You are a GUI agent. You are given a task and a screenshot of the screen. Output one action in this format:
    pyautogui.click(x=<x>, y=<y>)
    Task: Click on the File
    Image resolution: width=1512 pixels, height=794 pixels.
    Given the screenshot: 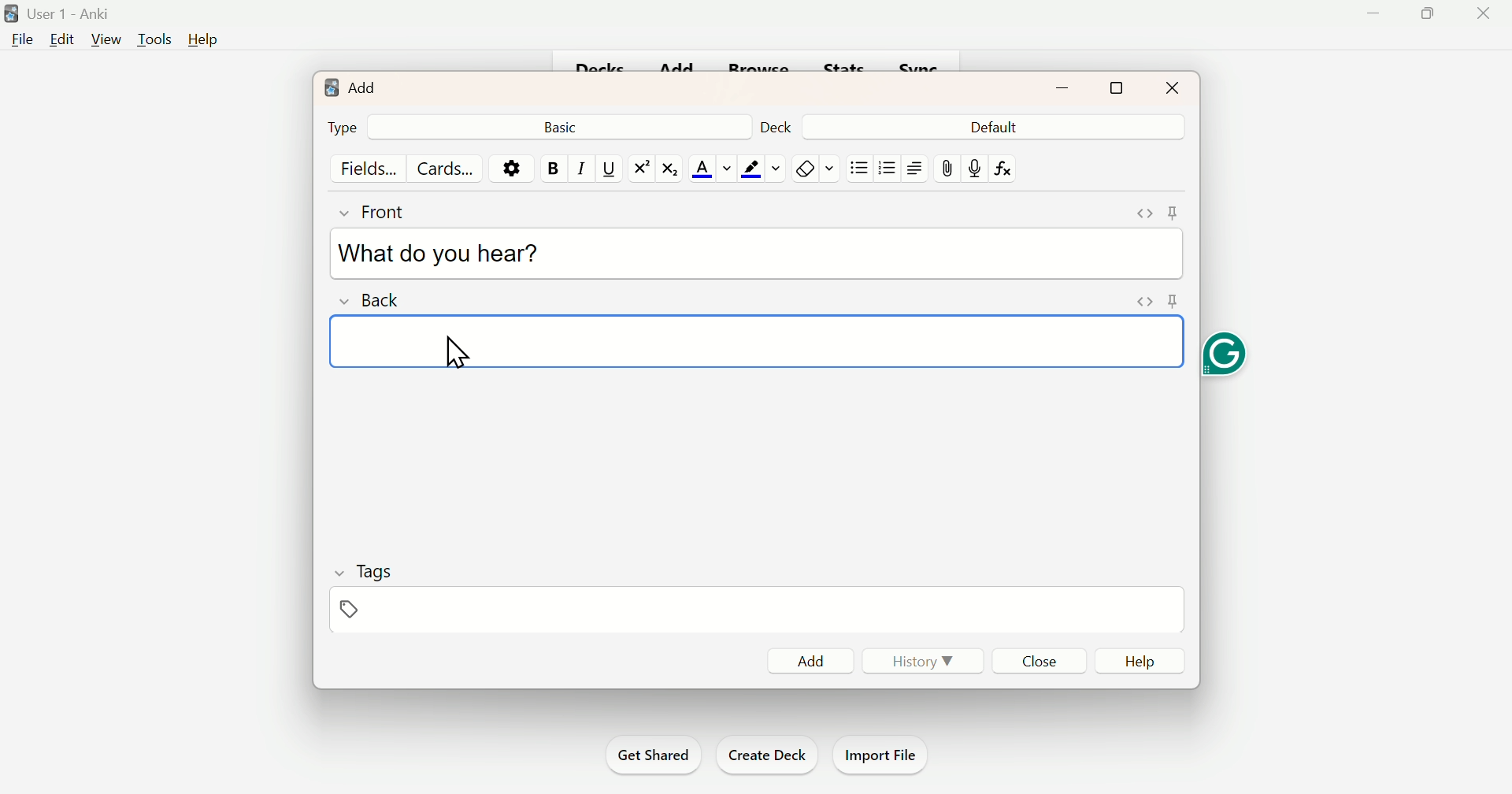 What is the action you would take?
    pyautogui.click(x=21, y=43)
    